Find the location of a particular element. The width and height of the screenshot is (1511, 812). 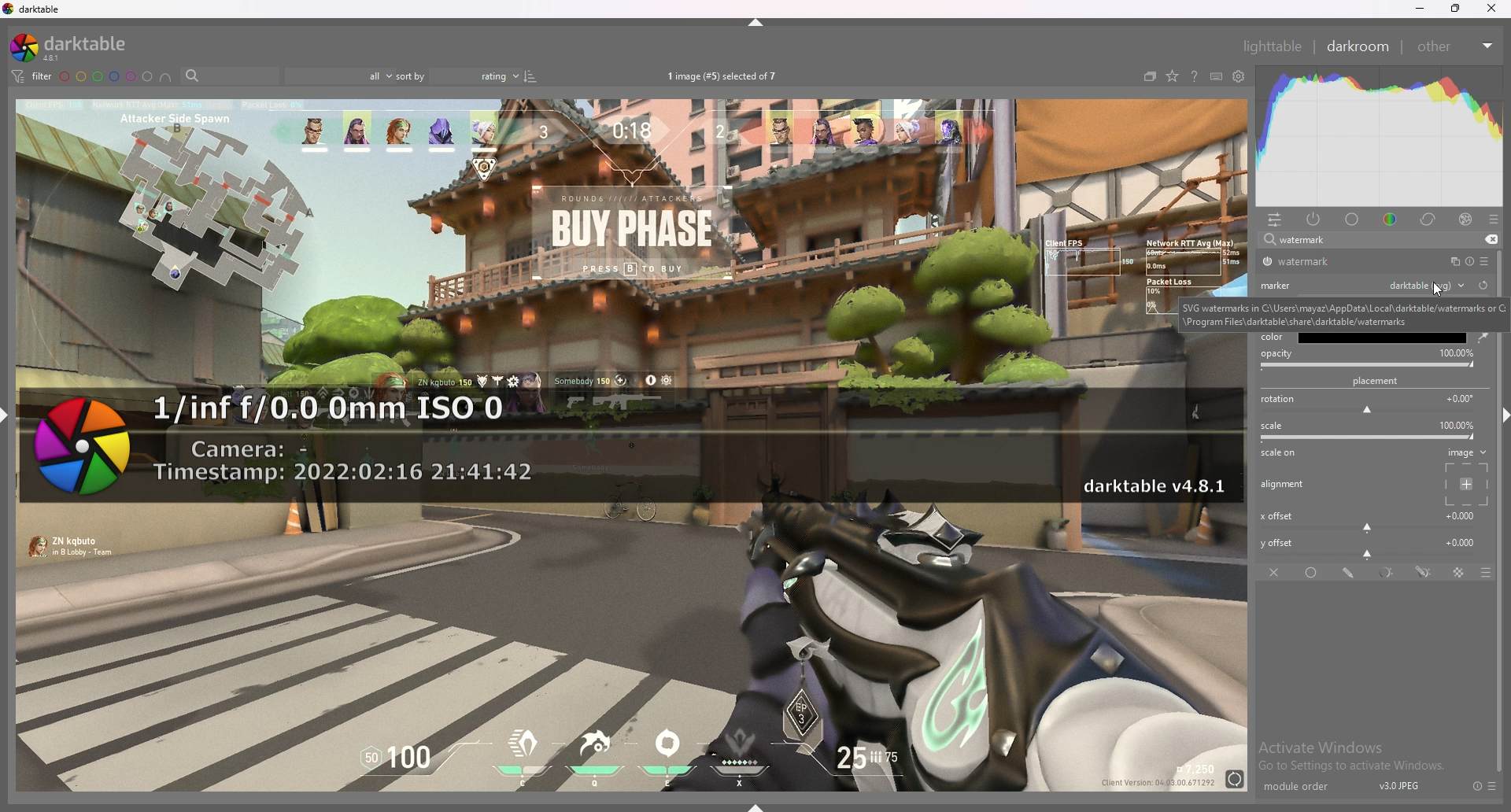

multiple instances action is located at coordinates (1450, 262).